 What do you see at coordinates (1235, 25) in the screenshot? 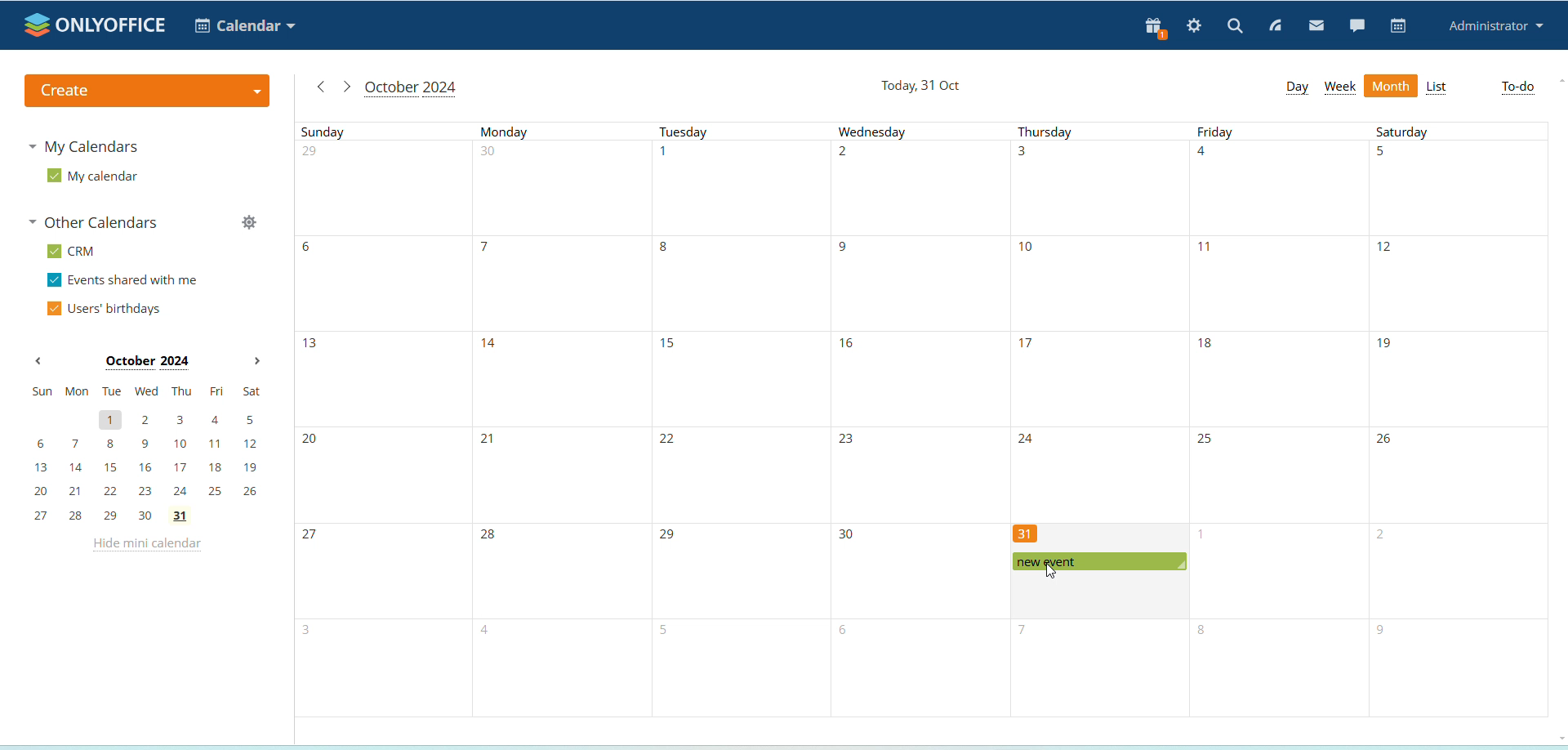
I see `search` at bounding box center [1235, 25].